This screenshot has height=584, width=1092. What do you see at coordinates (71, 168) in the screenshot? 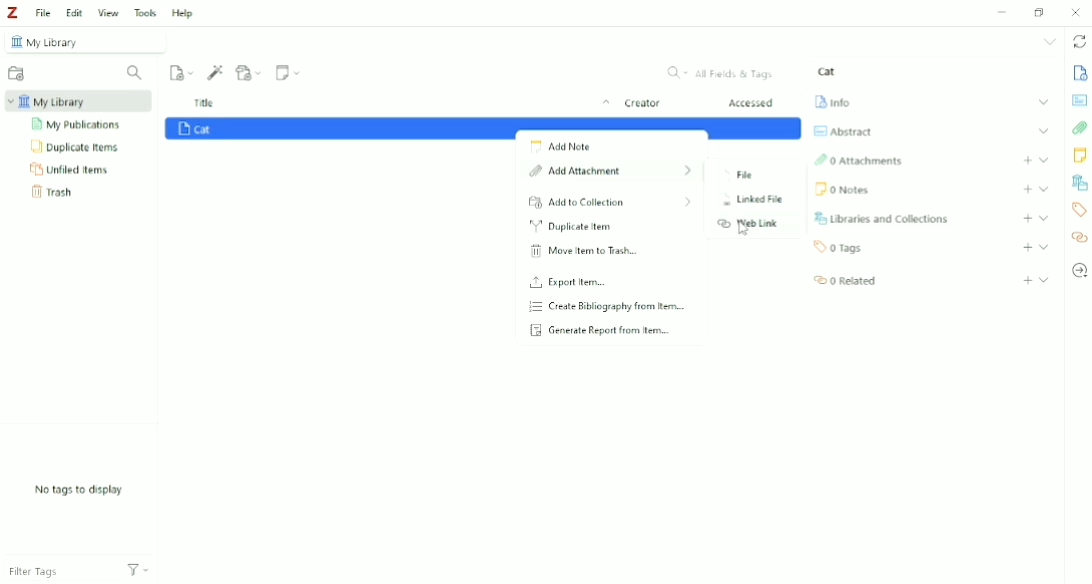
I see `Unfiled Items` at bounding box center [71, 168].